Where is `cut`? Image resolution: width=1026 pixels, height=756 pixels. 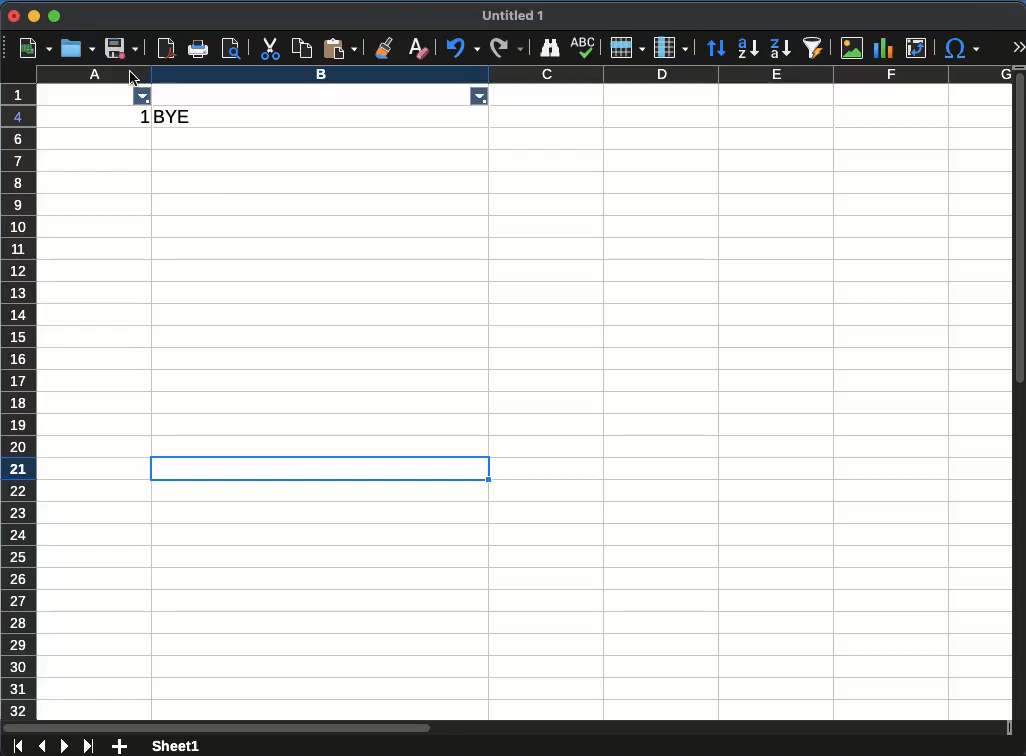 cut is located at coordinates (268, 49).